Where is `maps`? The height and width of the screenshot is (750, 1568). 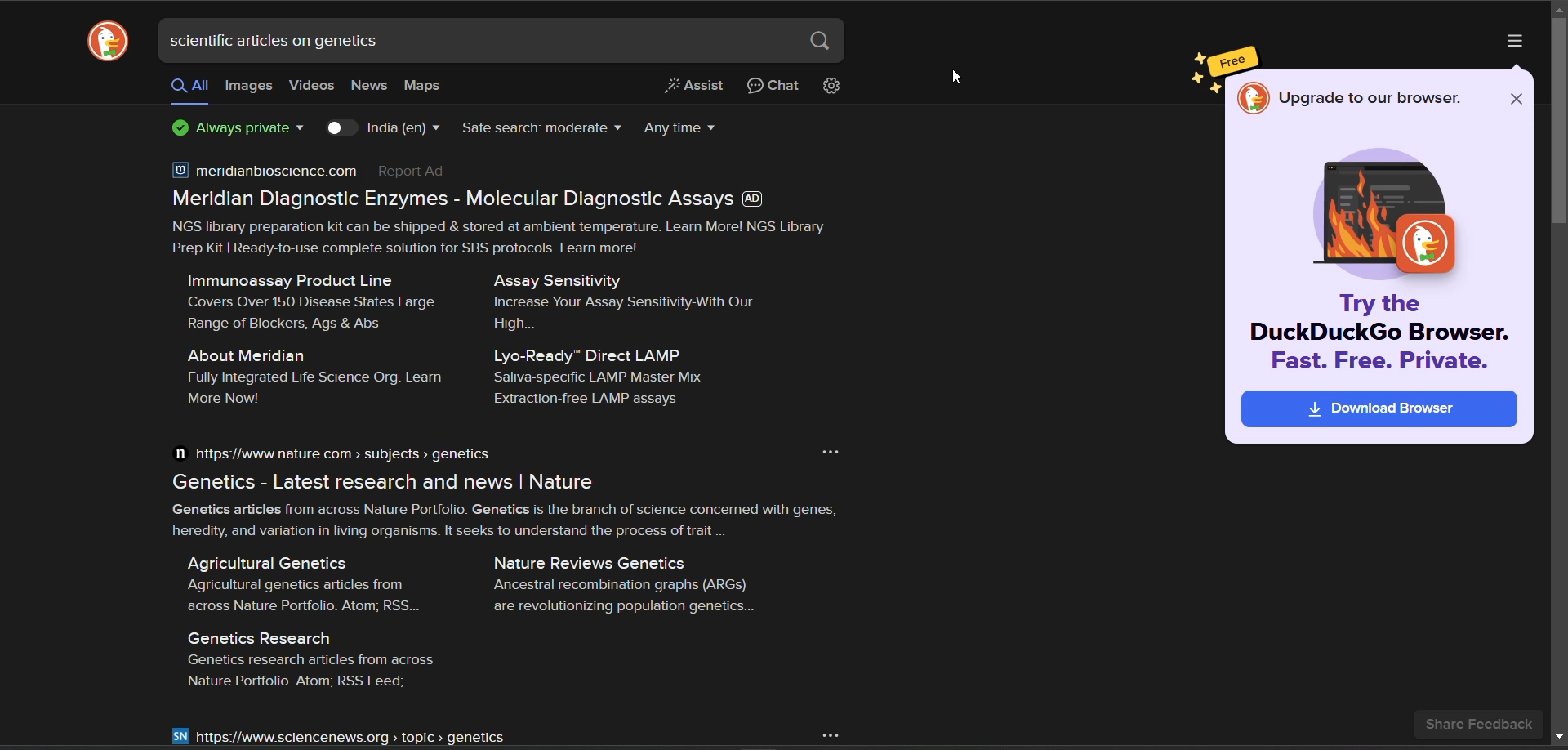
maps is located at coordinates (420, 87).